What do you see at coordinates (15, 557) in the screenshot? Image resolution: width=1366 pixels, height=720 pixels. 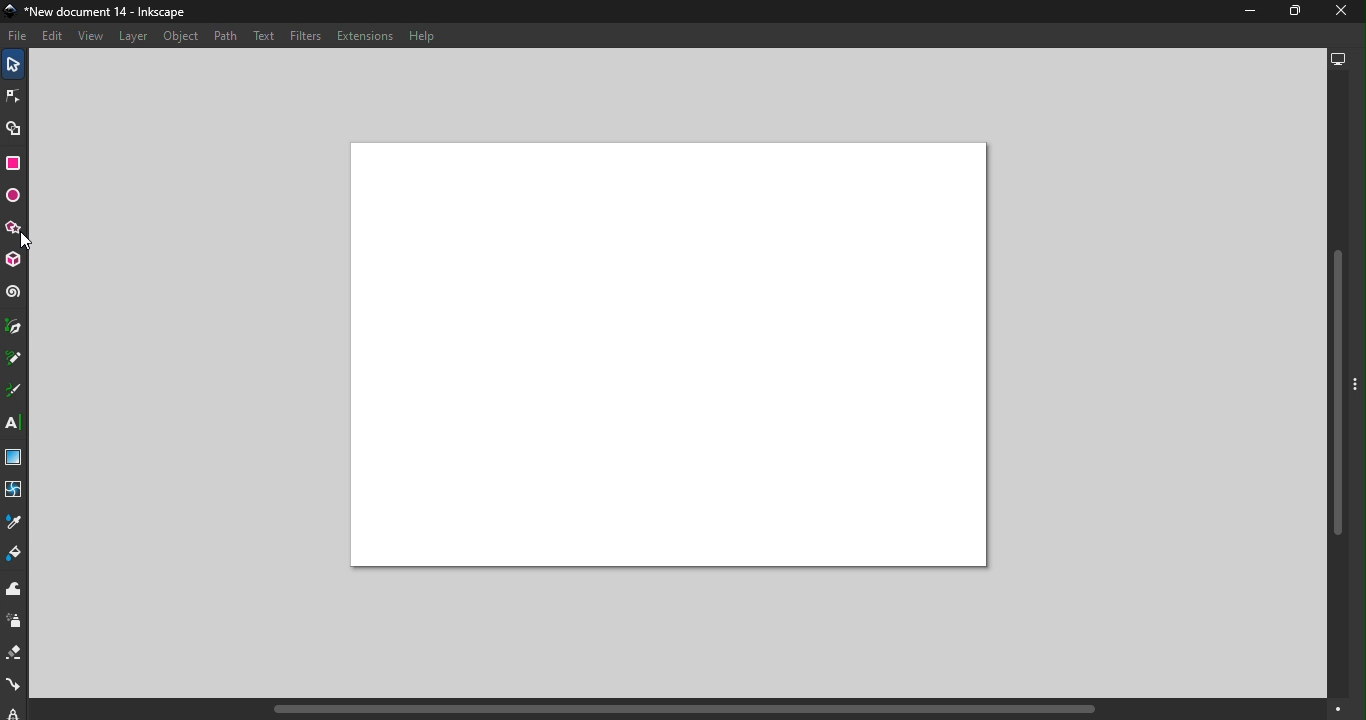 I see `Paint bucket tool` at bounding box center [15, 557].